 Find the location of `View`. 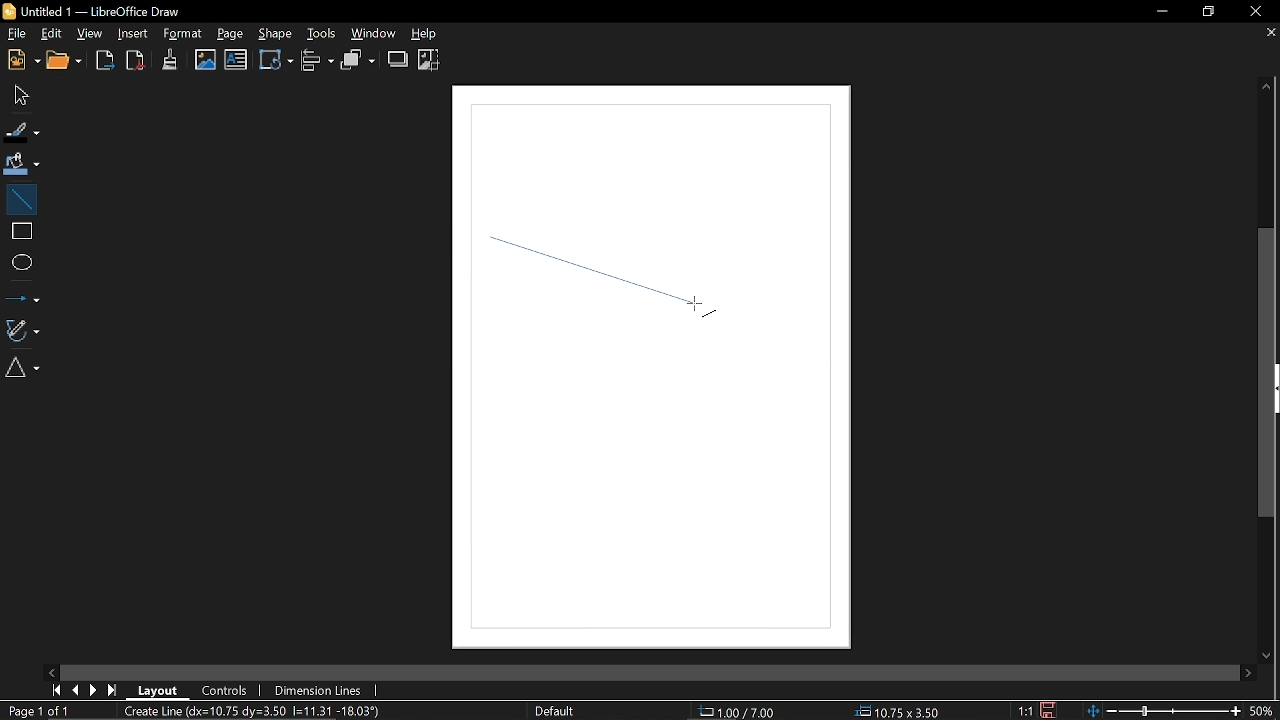

View is located at coordinates (93, 33).